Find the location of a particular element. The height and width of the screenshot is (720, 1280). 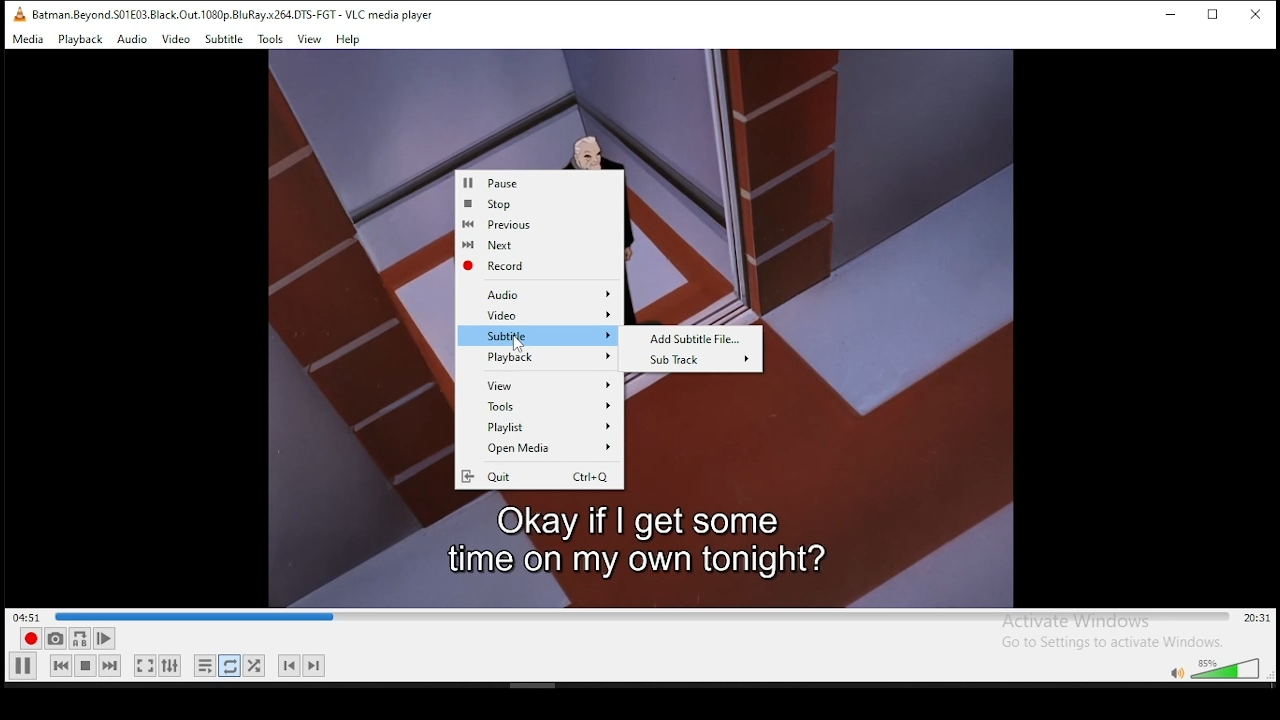

20:31 is located at coordinates (1255, 619).